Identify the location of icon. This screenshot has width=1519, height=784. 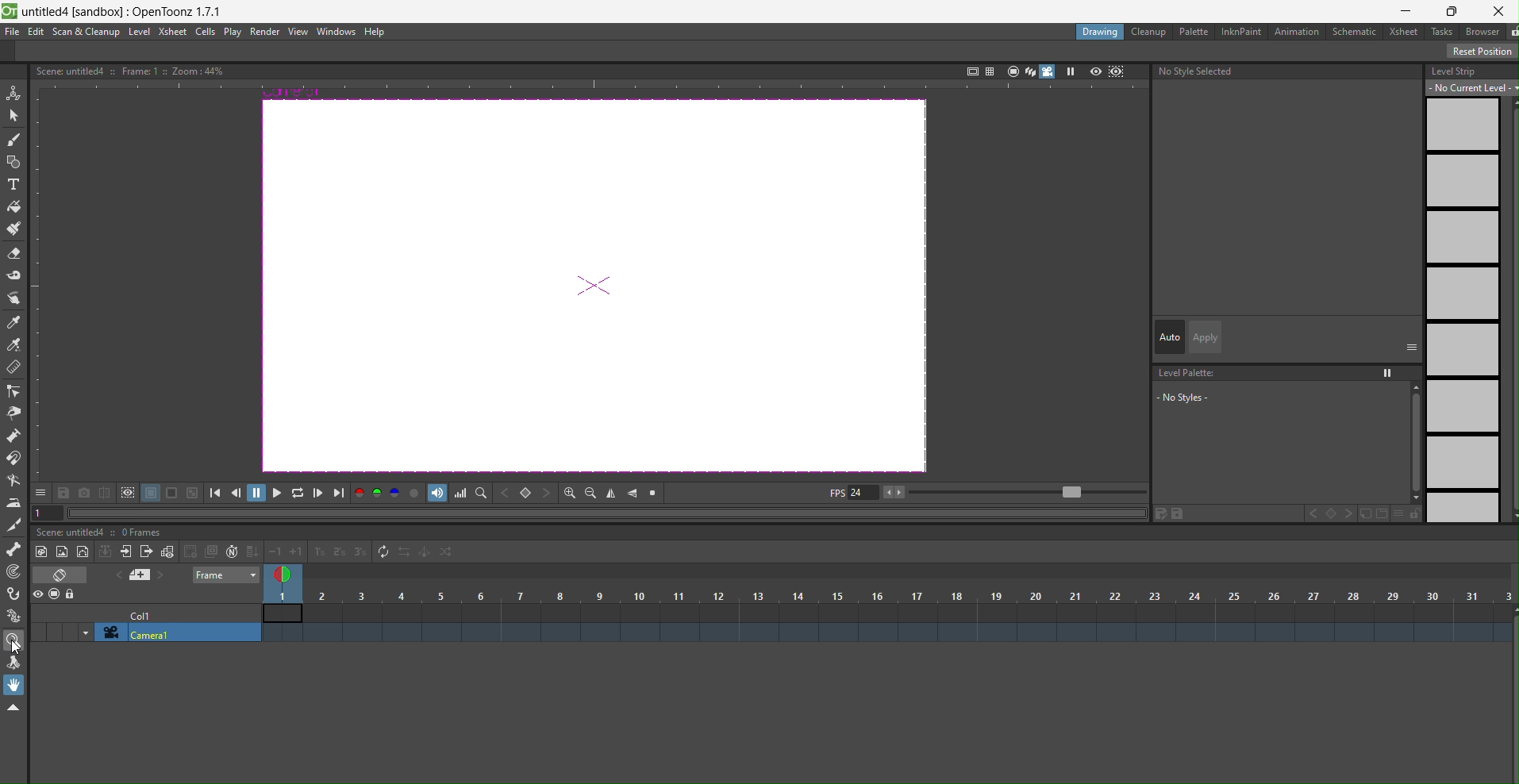
(62, 576).